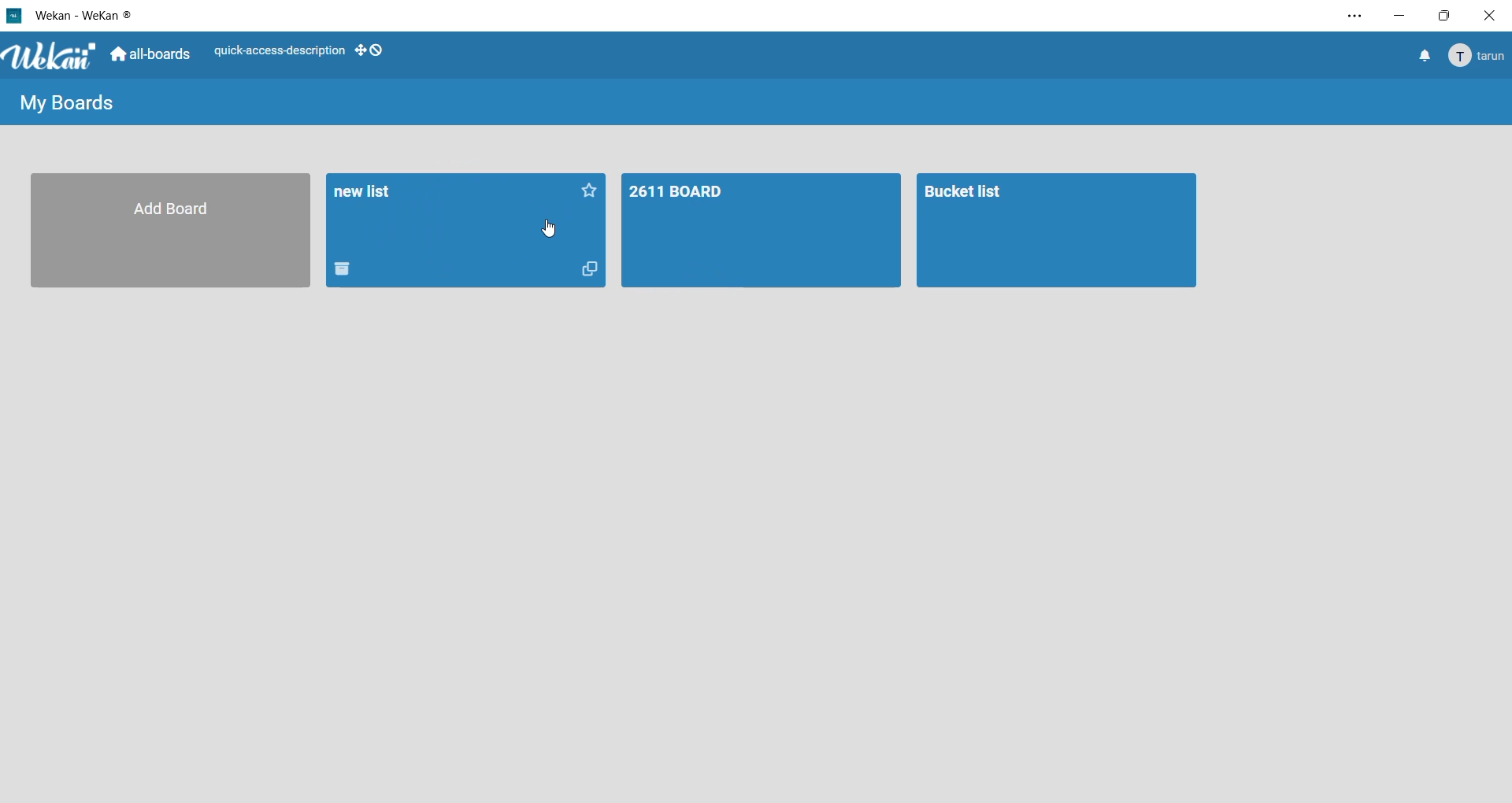 The image size is (1512, 803). I want to click on board title, so click(369, 194).